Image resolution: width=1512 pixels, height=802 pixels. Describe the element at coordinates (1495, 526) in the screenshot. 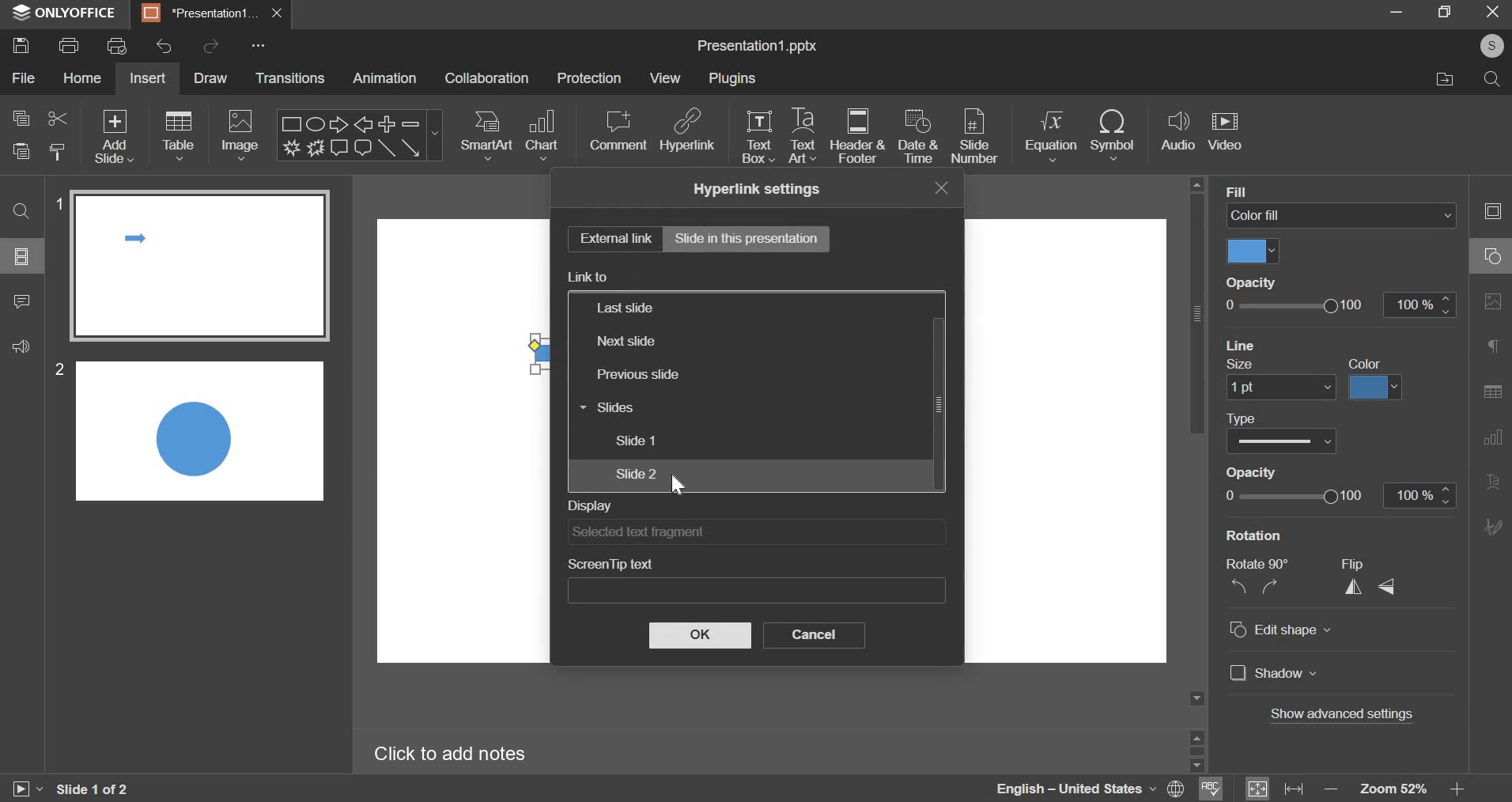

I see `Signature settings` at that location.